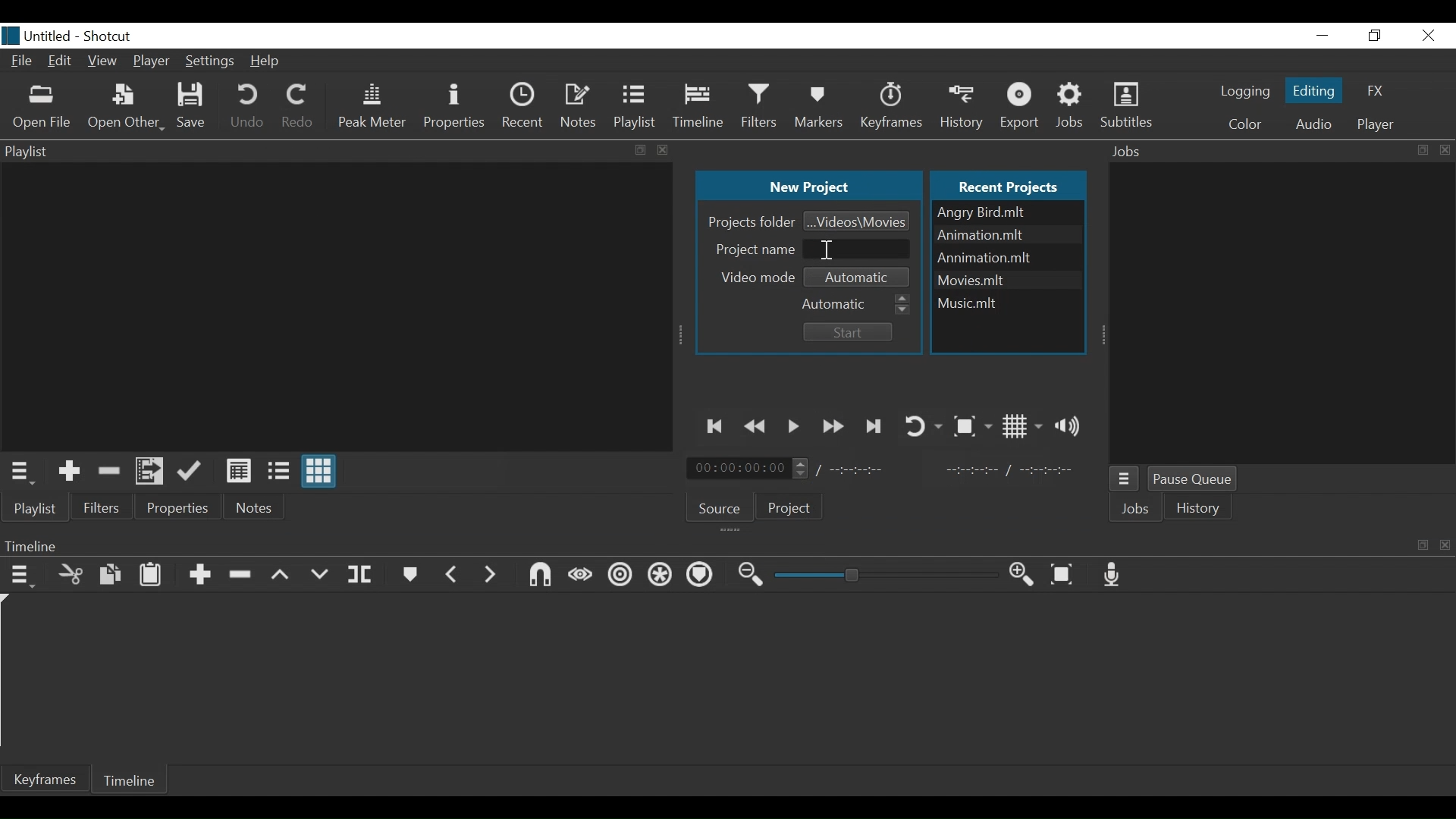 The width and height of the screenshot is (1456, 819). What do you see at coordinates (1198, 481) in the screenshot?
I see `Pause Queue` at bounding box center [1198, 481].